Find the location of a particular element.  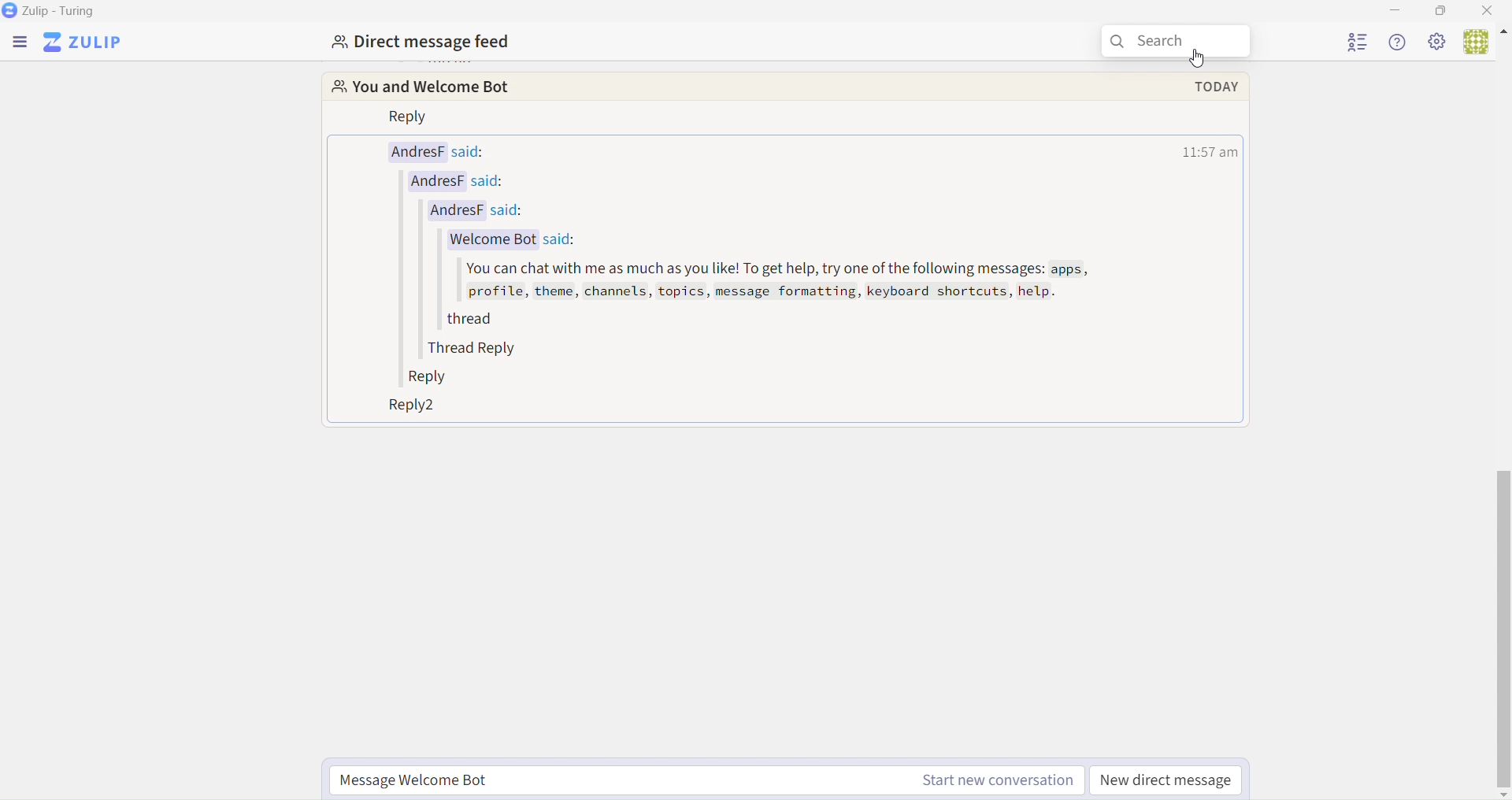

Reply is located at coordinates (409, 118).